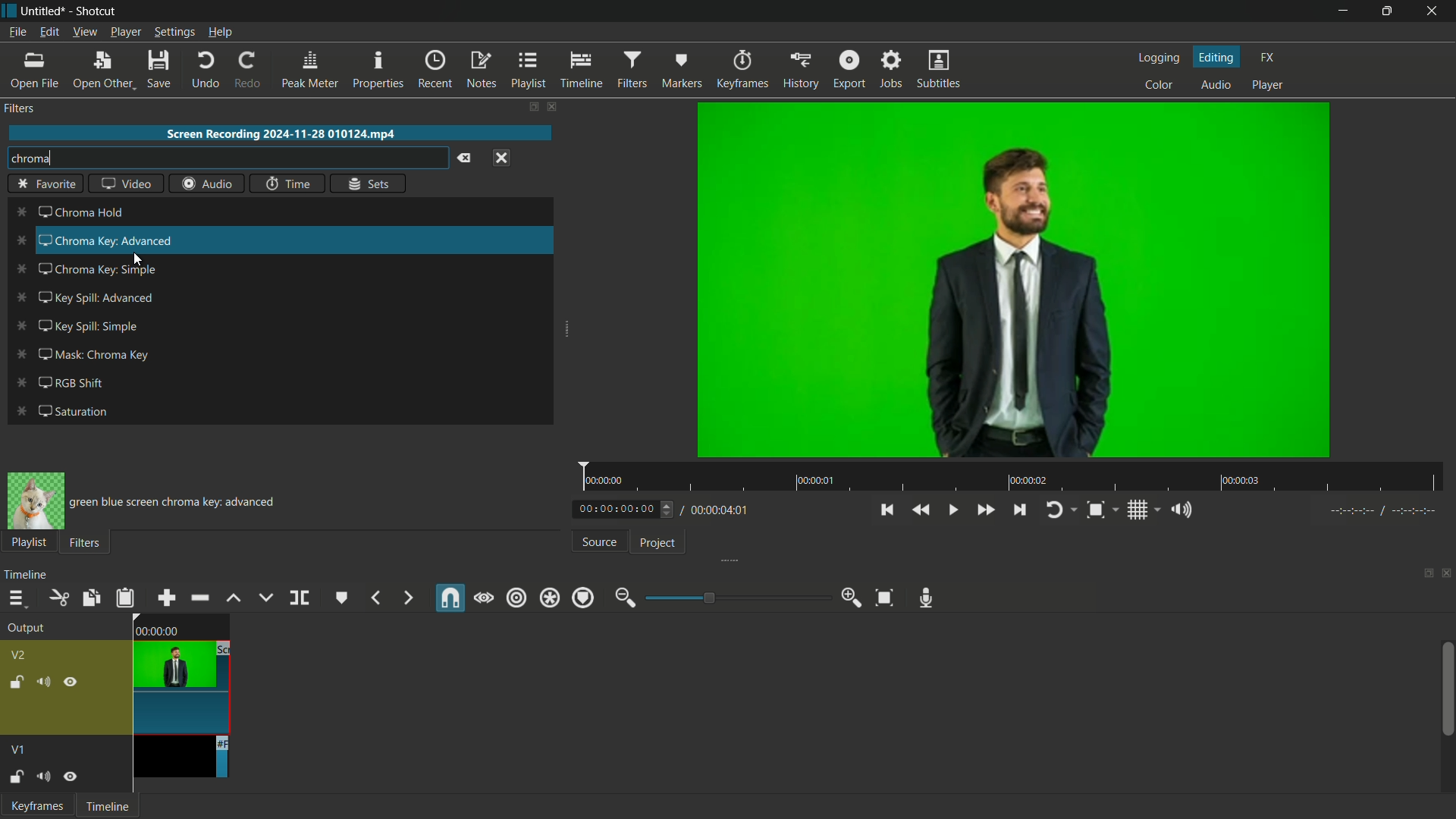 The image size is (1456, 819). I want to click on key split simple, so click(90, 326).